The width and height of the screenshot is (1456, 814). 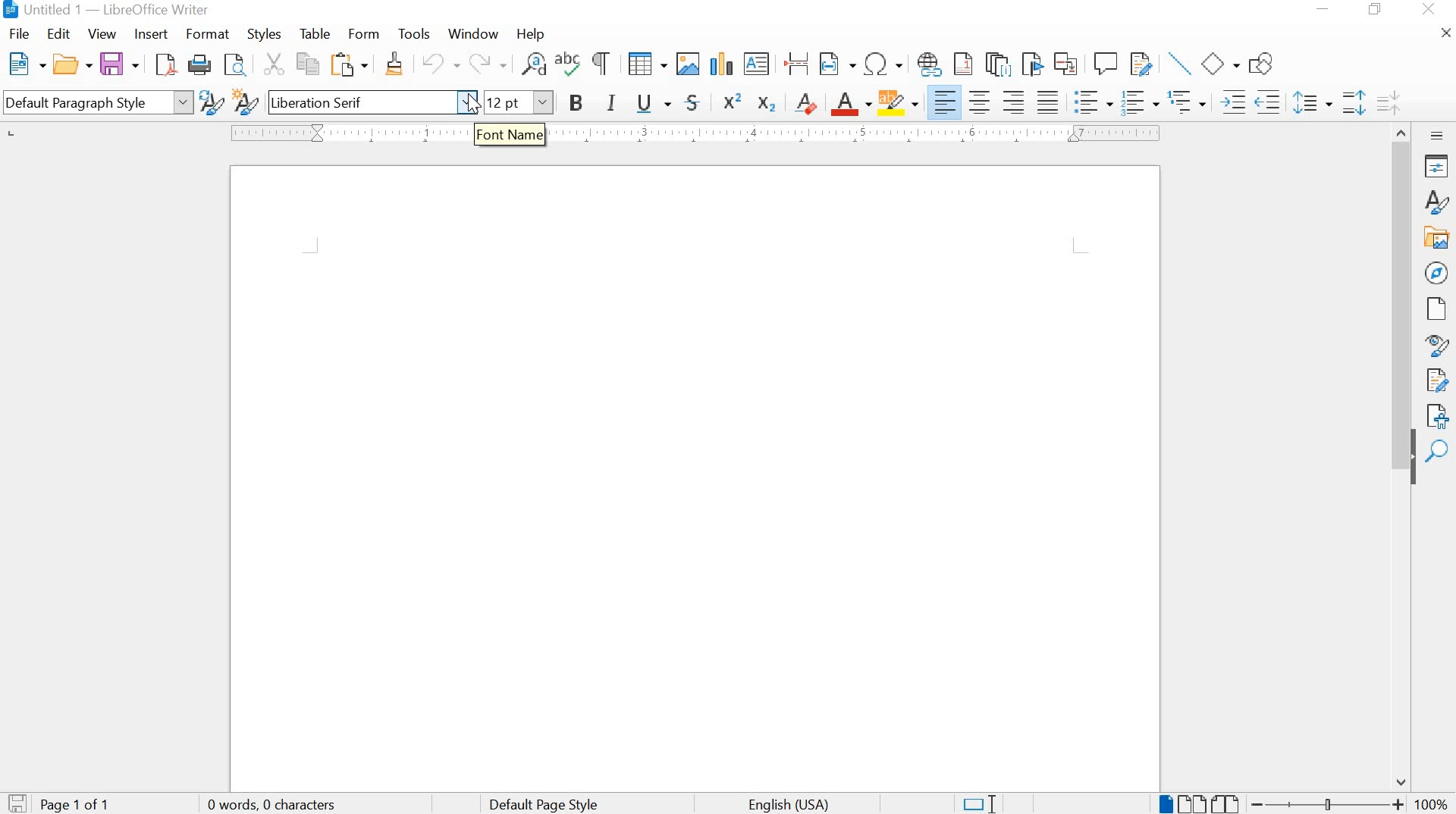 I want to click on FIND AND REPLACE, so click(x=532, y=64).